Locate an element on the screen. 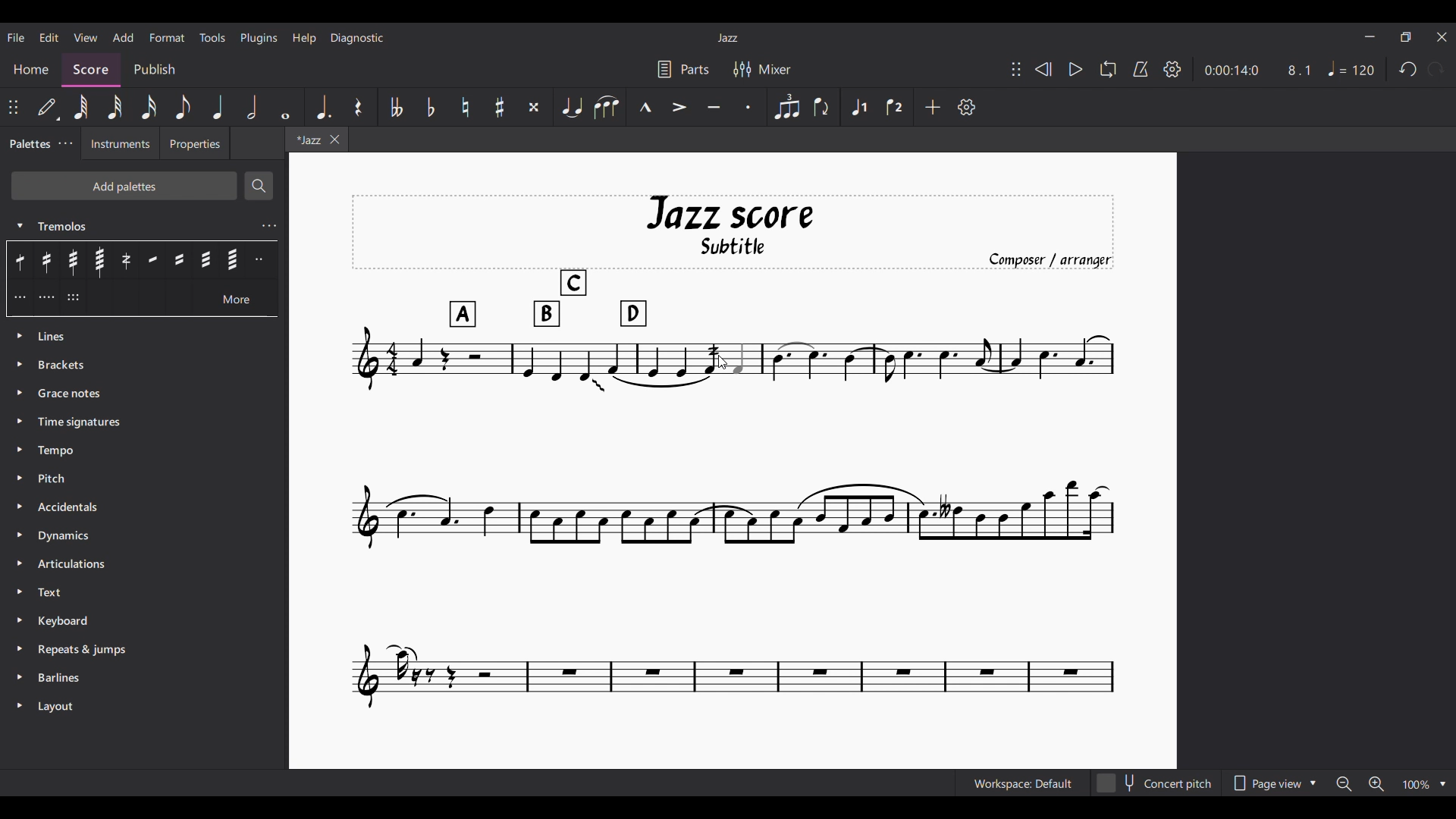 Image resolution: width=1456 pixels, height=819 pixels. Voice 1 is located at coordinates (858, 106).